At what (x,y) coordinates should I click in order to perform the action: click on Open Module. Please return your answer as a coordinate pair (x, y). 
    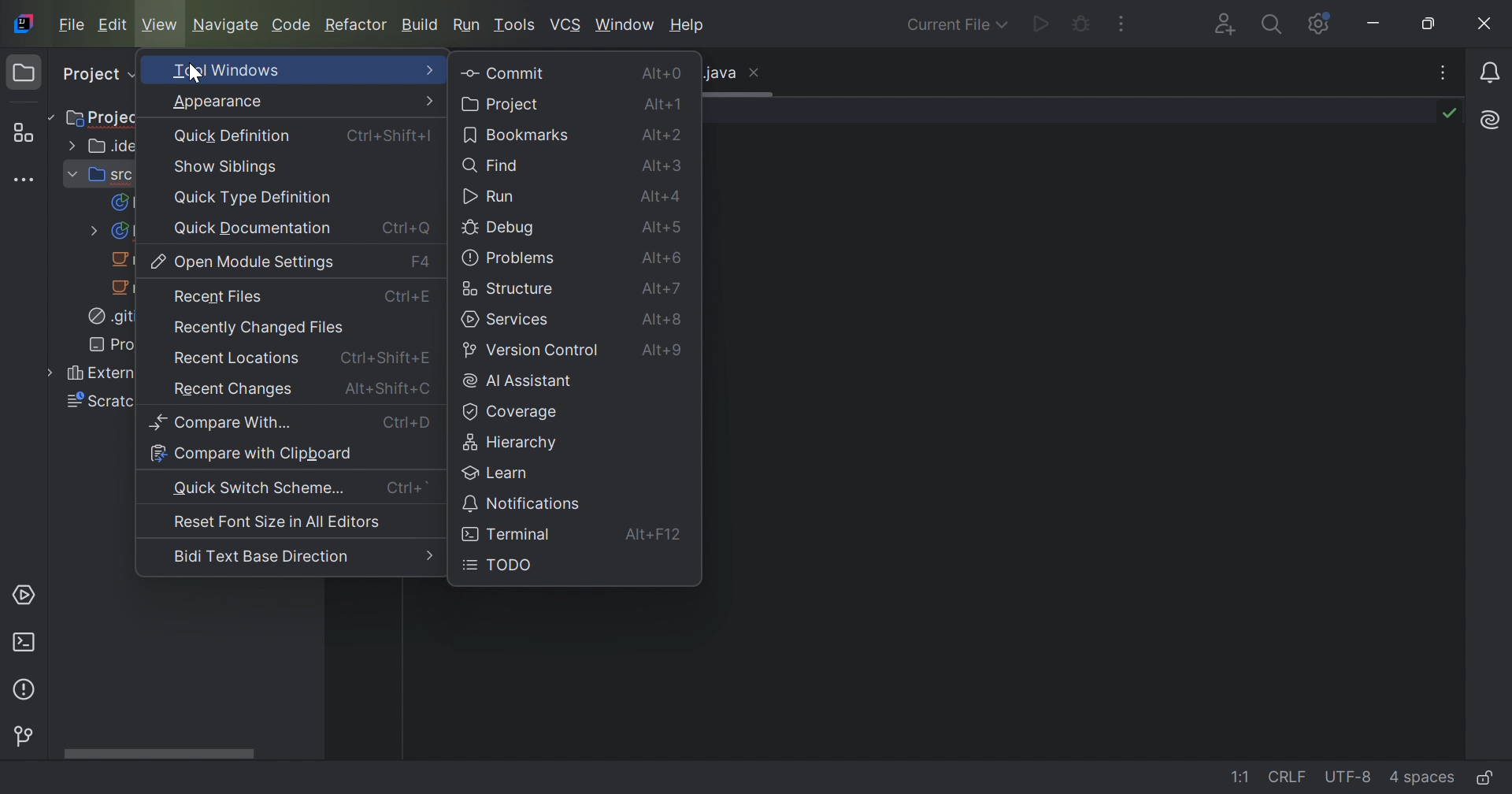
    Looking at the image, I should click on (245, 262).